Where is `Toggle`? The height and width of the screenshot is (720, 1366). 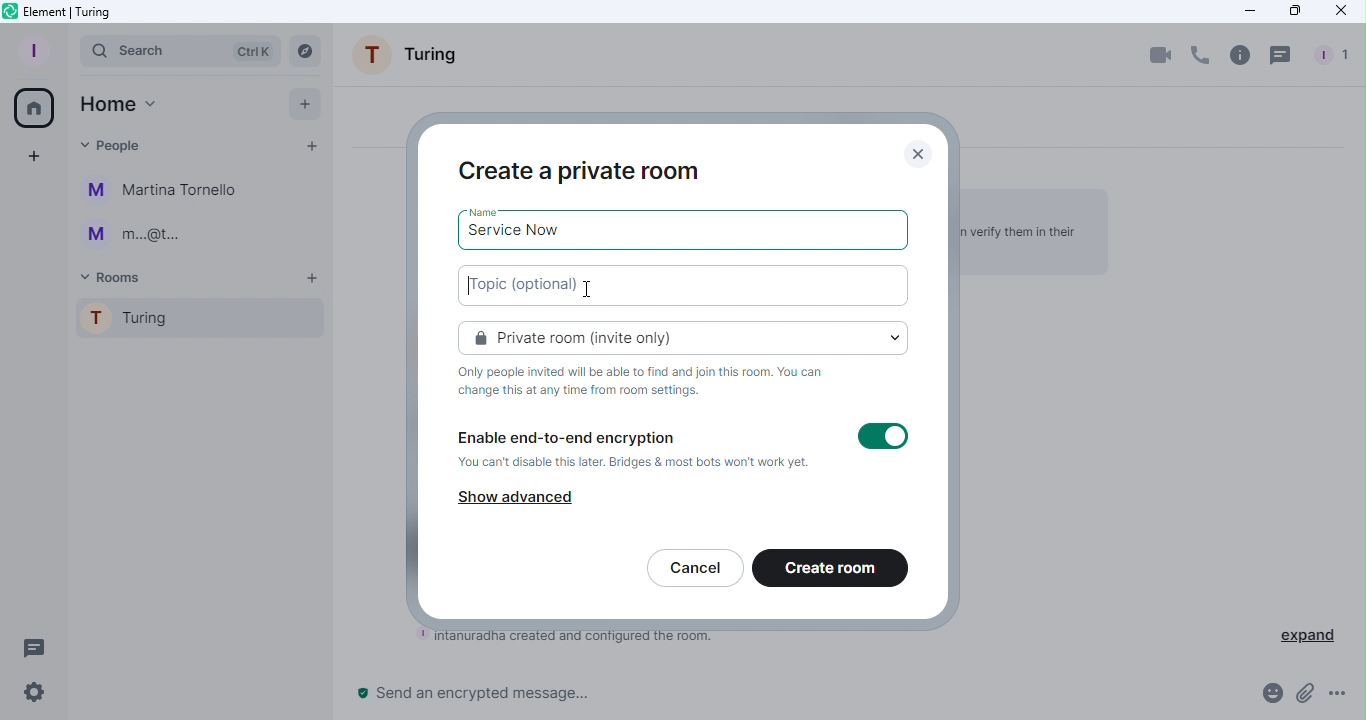
Toggle is located at coordinates (883, 438).